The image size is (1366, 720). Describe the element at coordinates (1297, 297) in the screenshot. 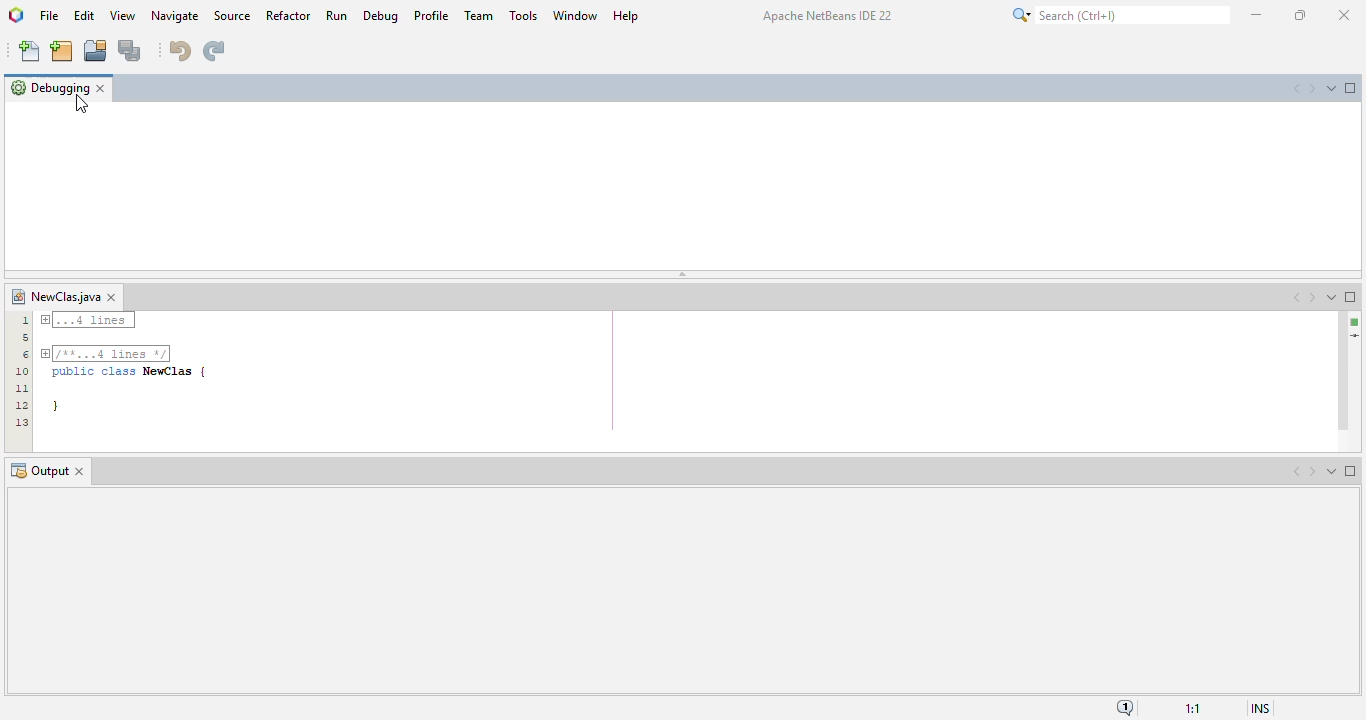

I see `scroll documents left` at that location.